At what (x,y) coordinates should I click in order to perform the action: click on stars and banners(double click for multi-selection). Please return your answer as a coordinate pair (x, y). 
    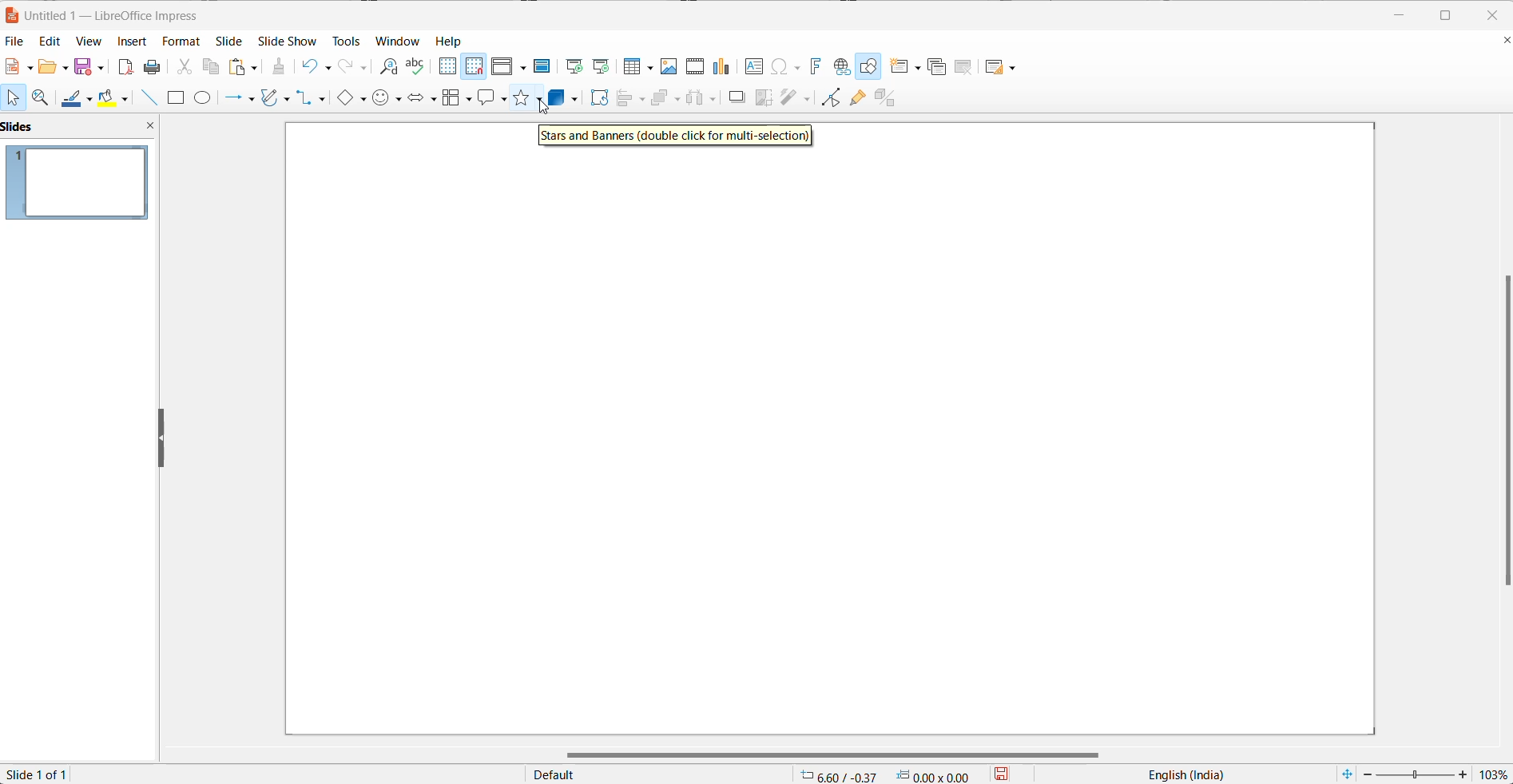
    Looking at the image, I should click on (677, 137).